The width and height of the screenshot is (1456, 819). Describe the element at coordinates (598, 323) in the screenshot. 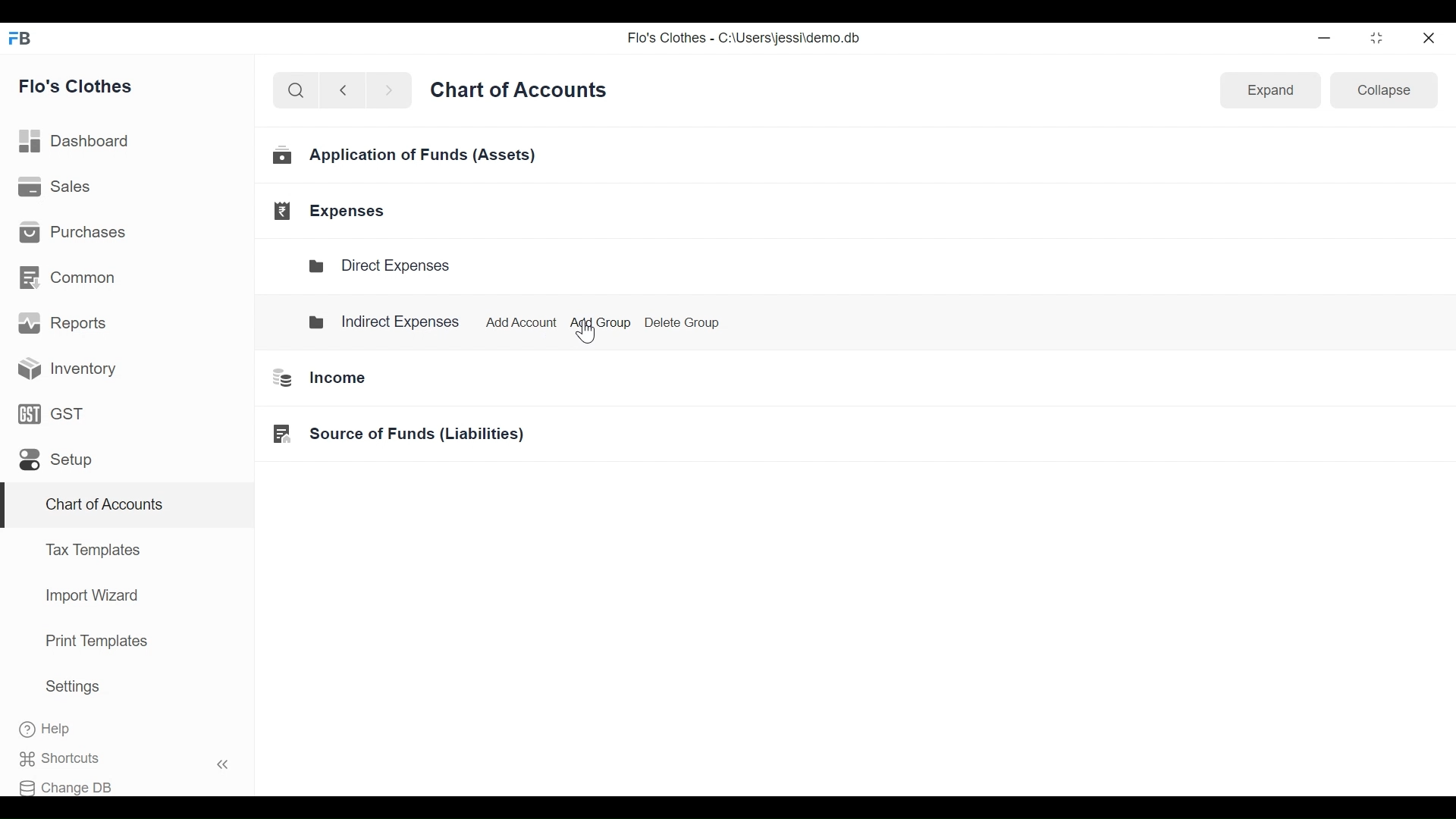

I see `Add Group` at that location.